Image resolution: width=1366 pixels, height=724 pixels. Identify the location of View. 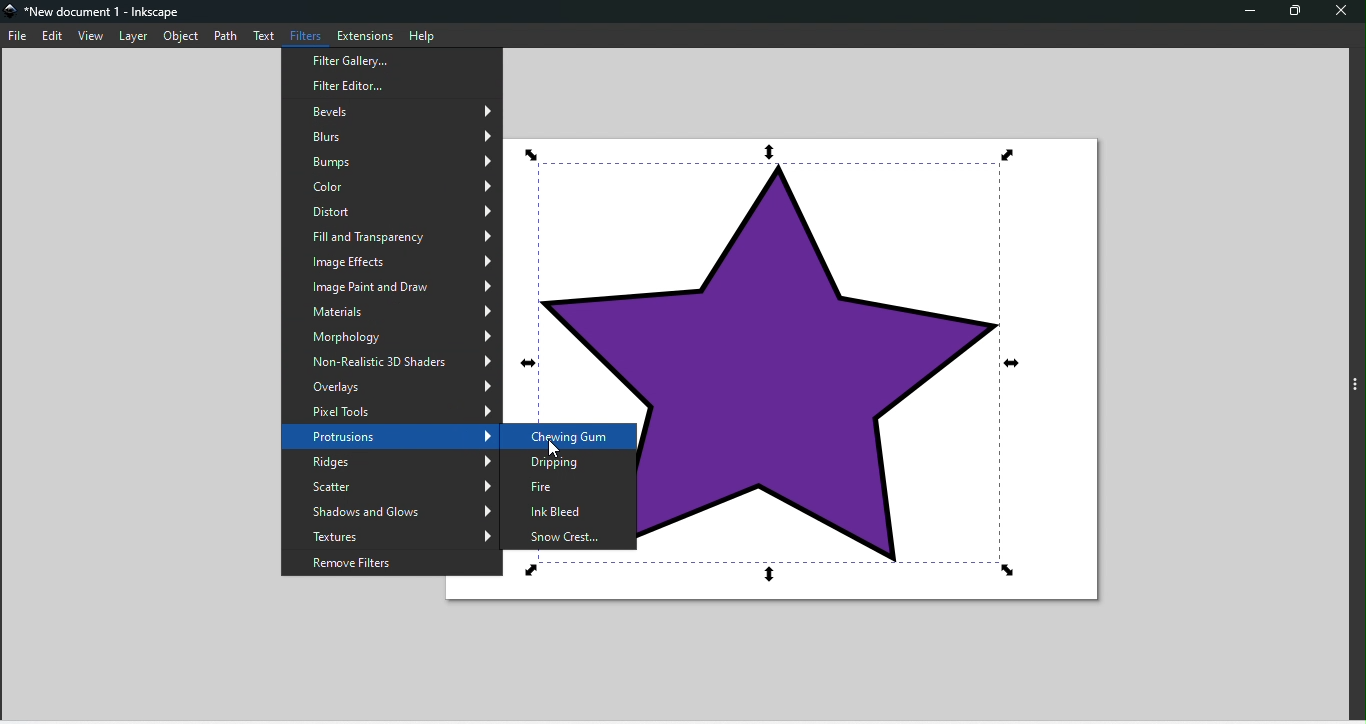
(95, 37).